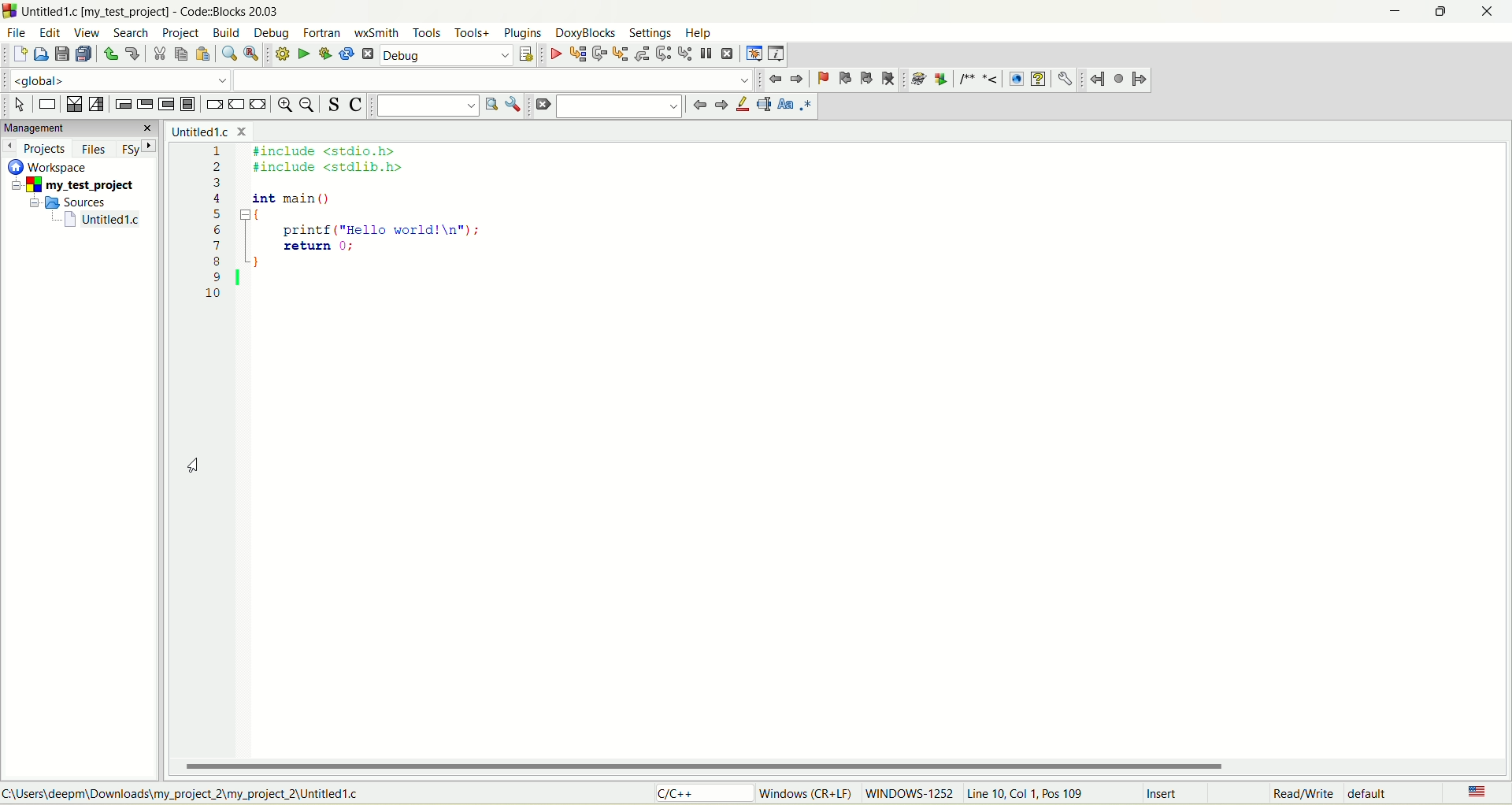 Image resolution: width=1512 pixels, height=805 pixels. Describe the element at coordinates (663, 54) in the screenshot. I see `next instruction` at that location.